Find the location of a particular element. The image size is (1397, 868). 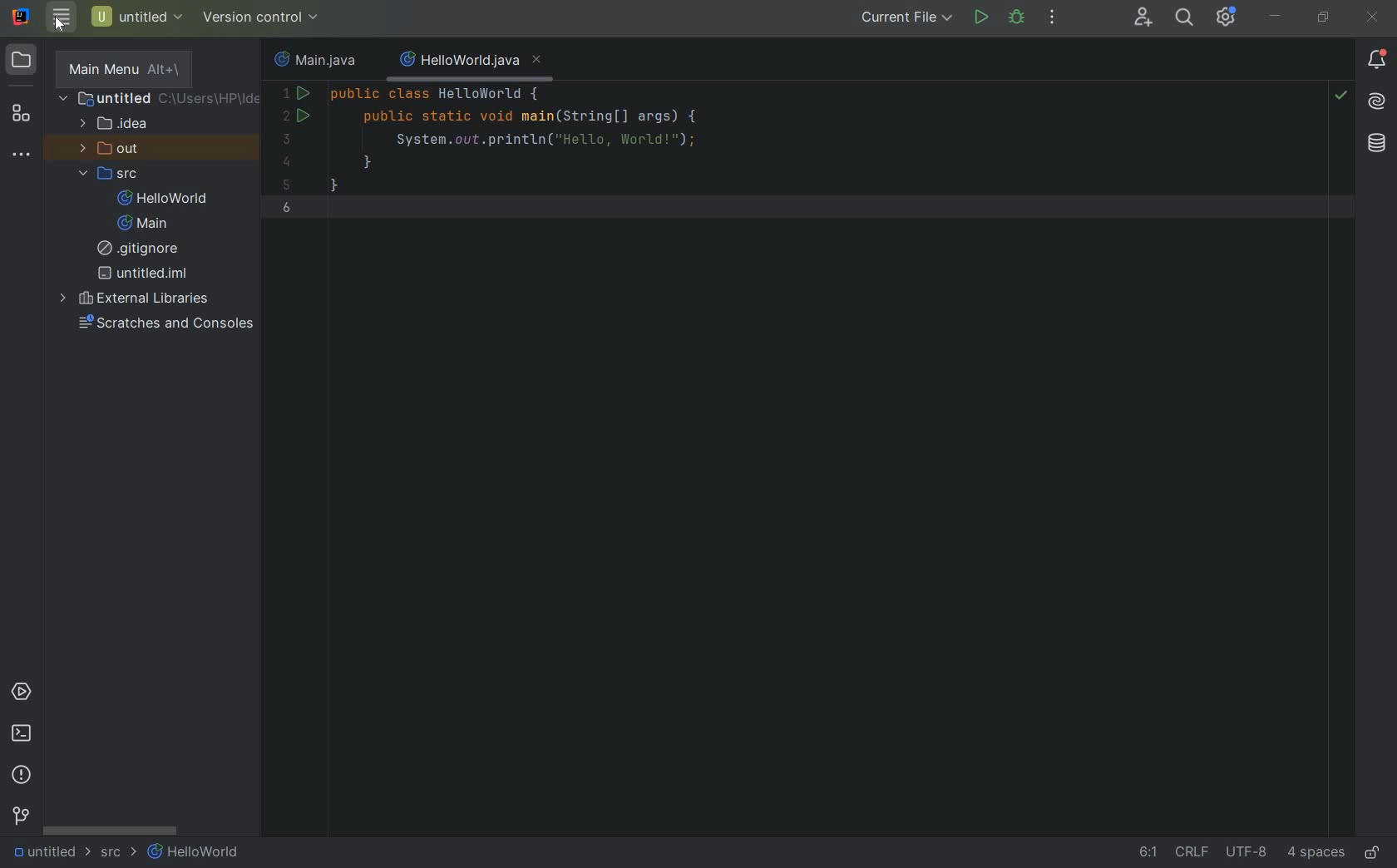

OUT is located at coordinates (115, 149).